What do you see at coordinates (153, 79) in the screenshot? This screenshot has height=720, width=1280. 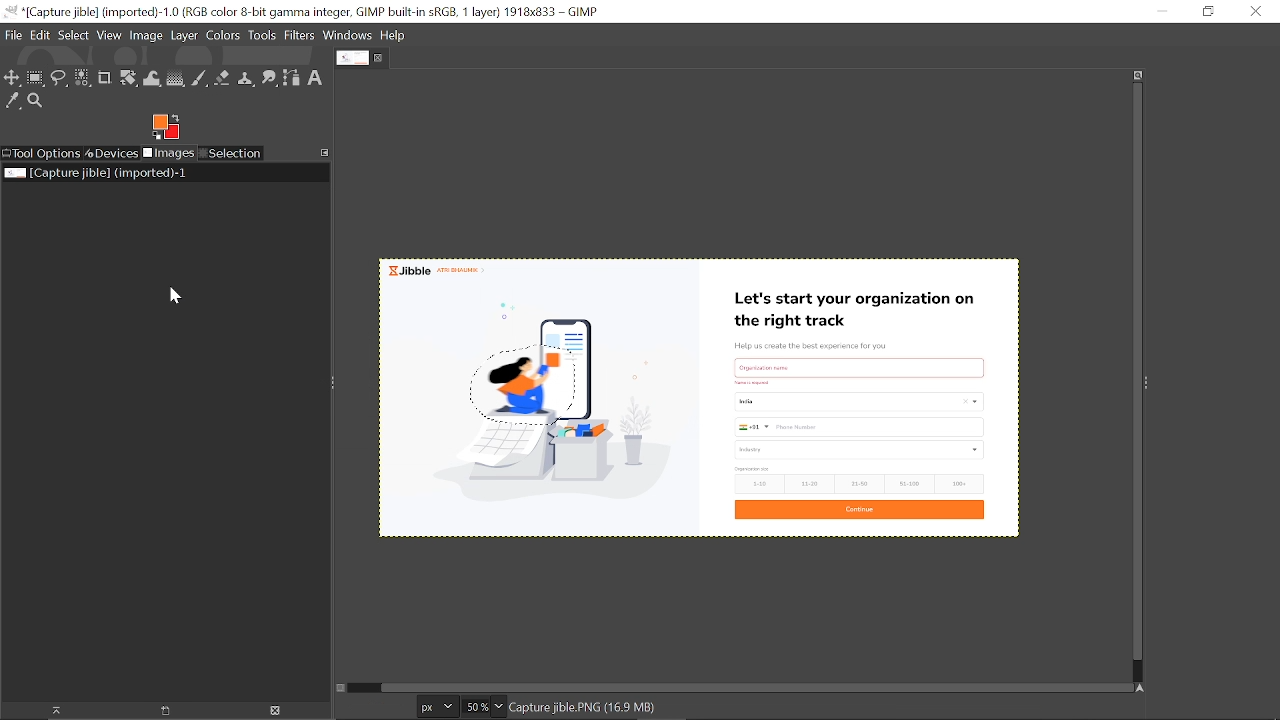 I see `Wrap text tool` at bounding box center [153, 79].